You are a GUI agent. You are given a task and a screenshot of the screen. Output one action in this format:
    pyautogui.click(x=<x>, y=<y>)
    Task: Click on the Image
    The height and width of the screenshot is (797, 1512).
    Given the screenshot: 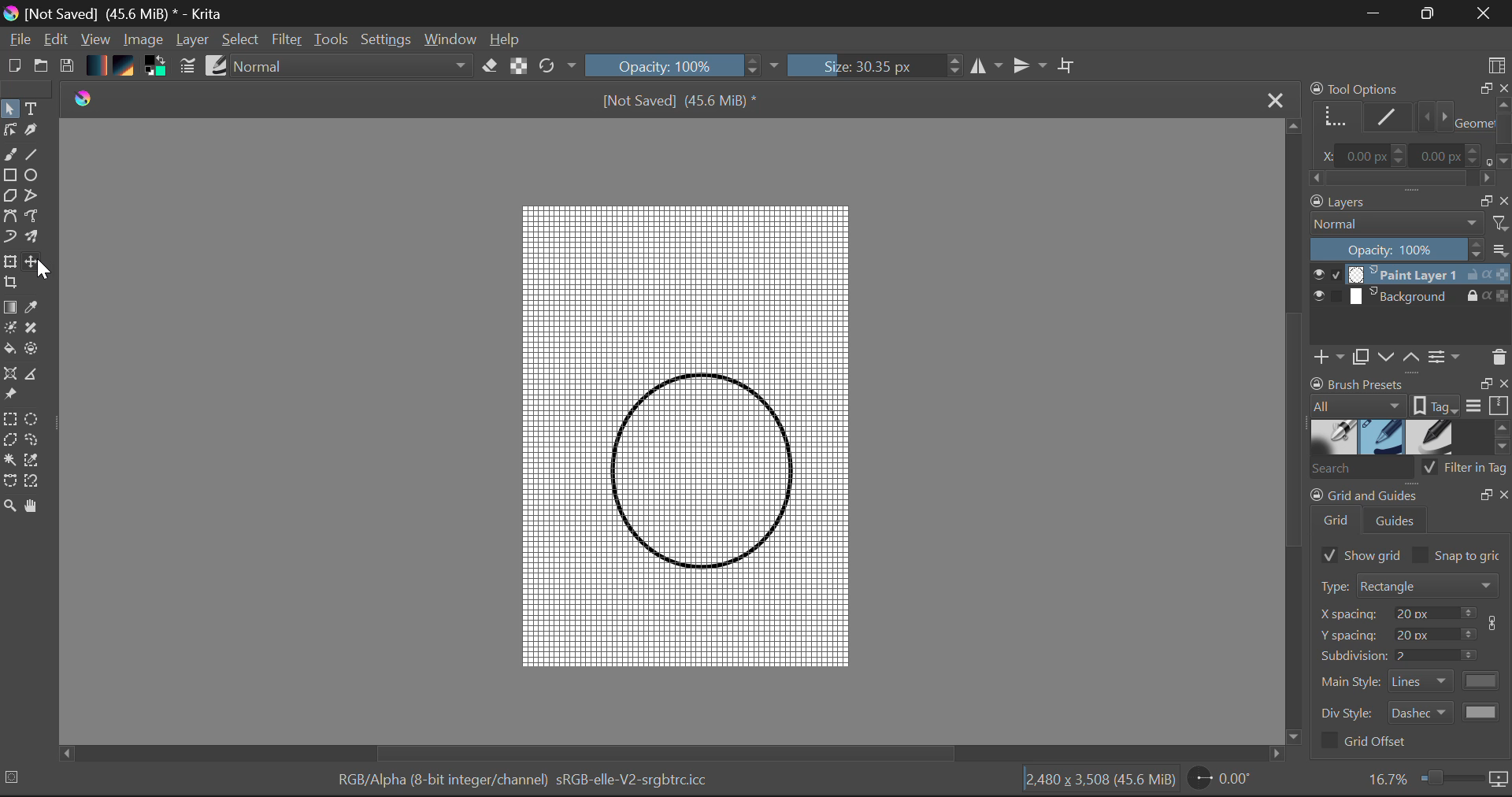 What is the action you would take?
    pyautogui.click(x=143, y=41)
    